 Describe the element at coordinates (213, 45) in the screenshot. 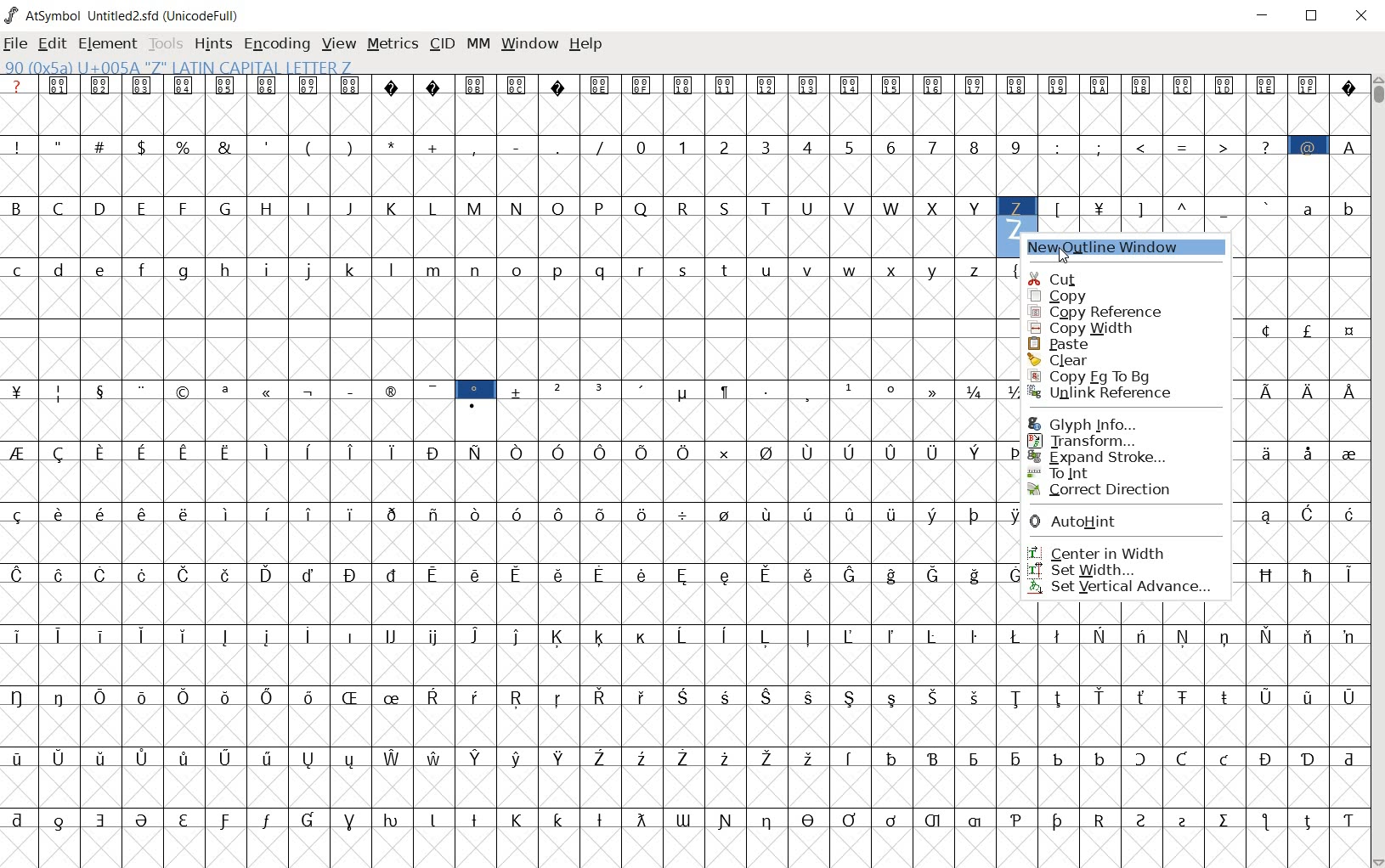

I see `hints` at that location.